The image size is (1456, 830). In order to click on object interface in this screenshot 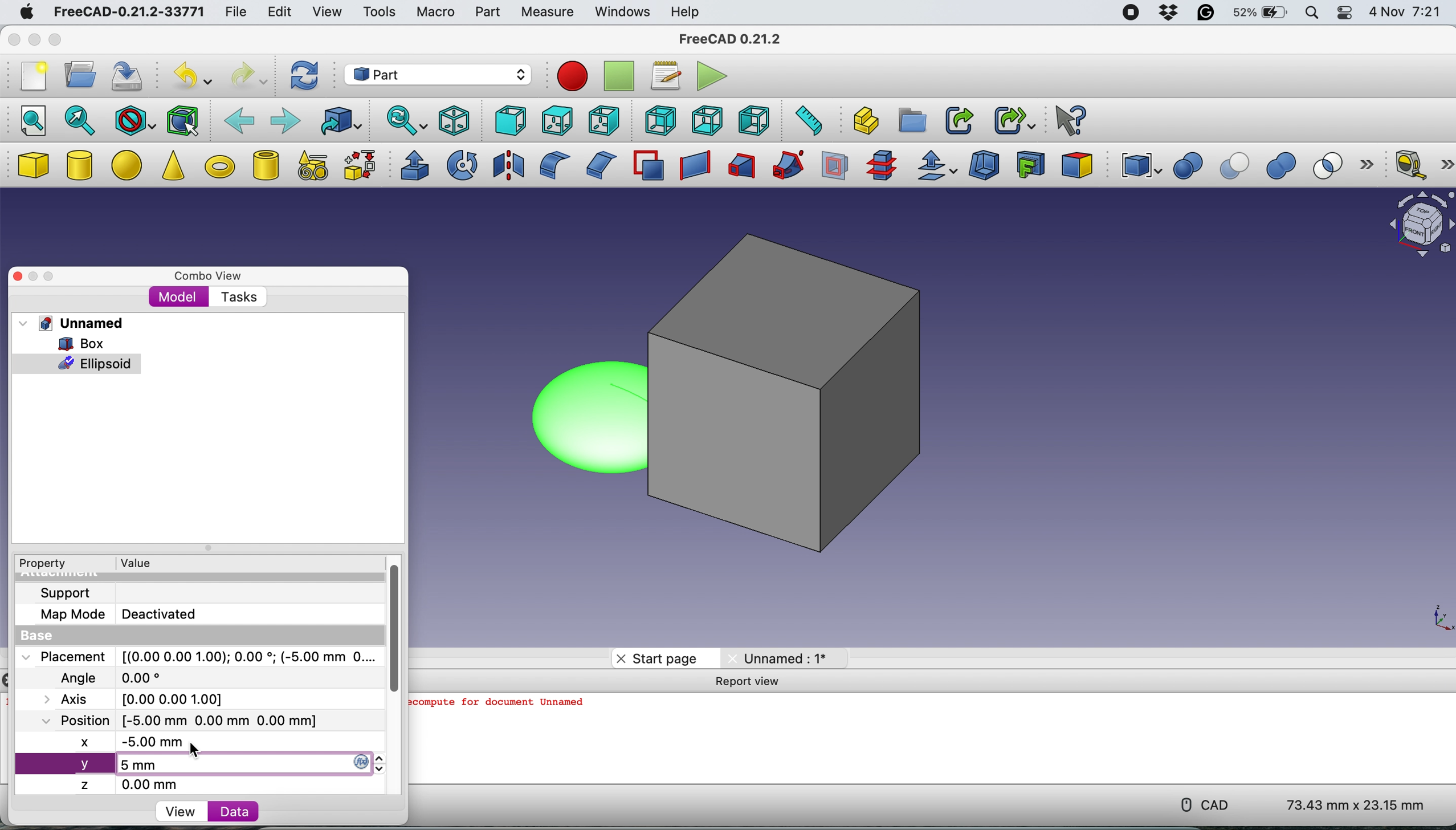, I will do `click(1421, 226)`.